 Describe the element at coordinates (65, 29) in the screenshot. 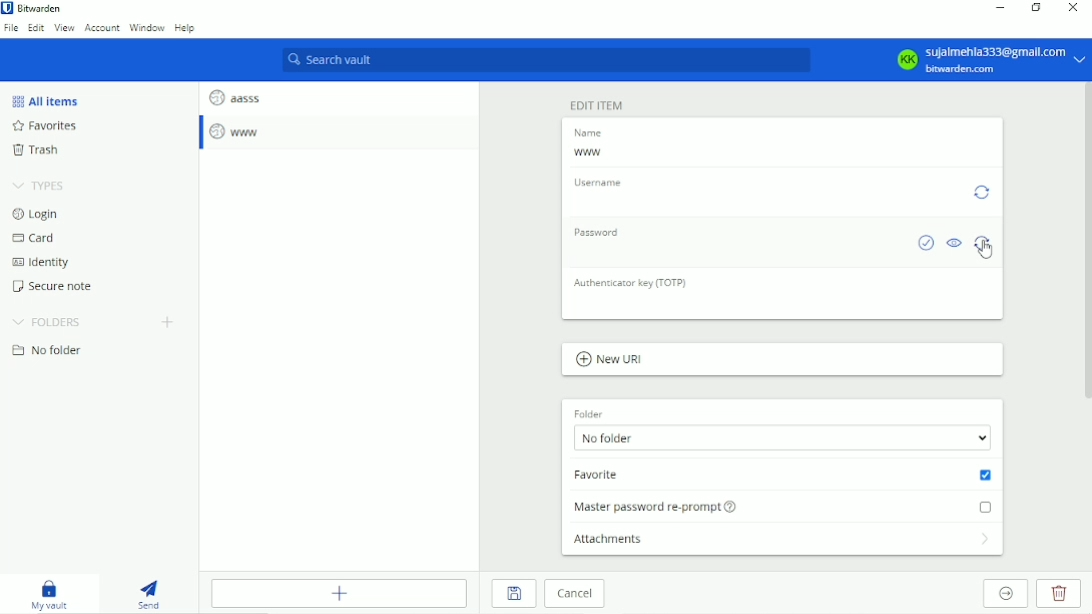

I see `View` at that location.